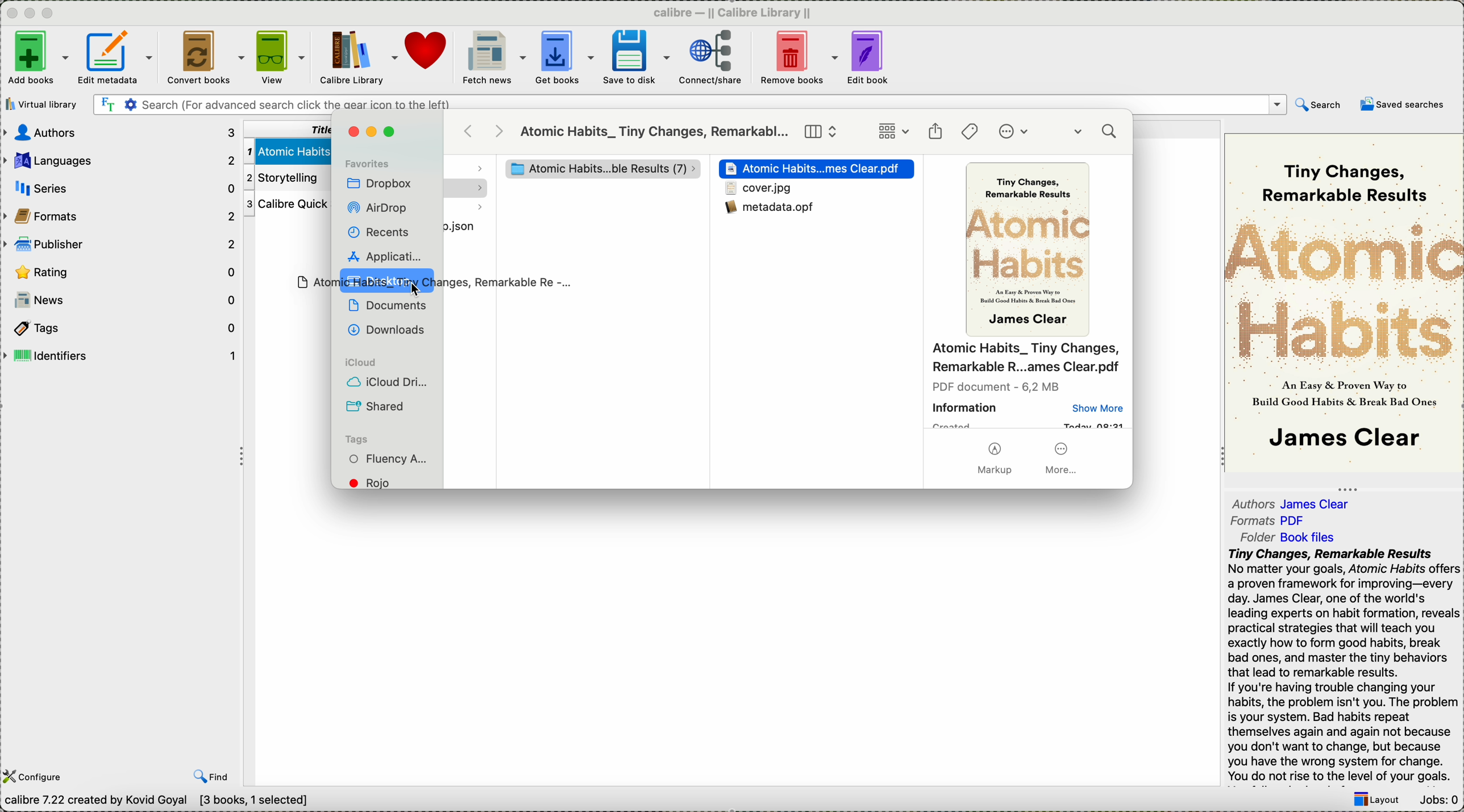 This screenshot has width=1464, height=812. What do you see at coordinates (383, 255) in the screenshot?
I see `Applications` at bounding box center [383, 255].